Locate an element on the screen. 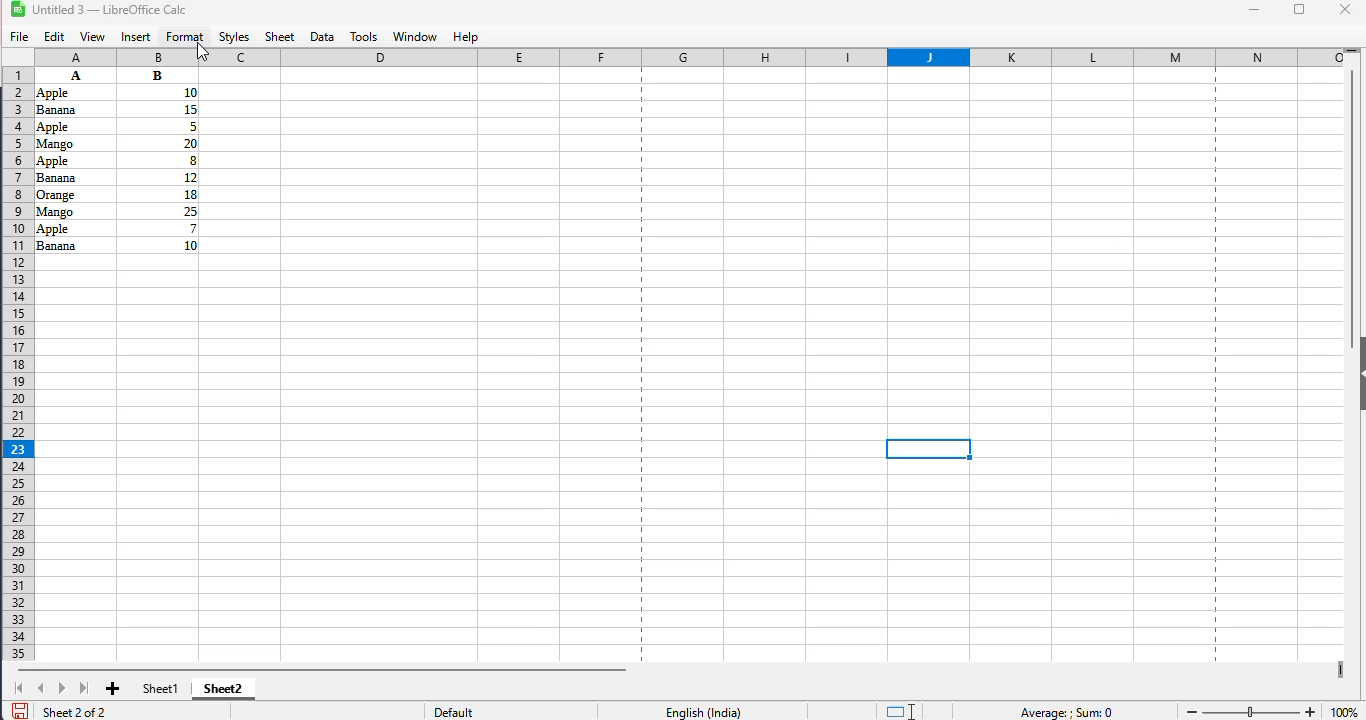   is located at coordinates (158, 159).